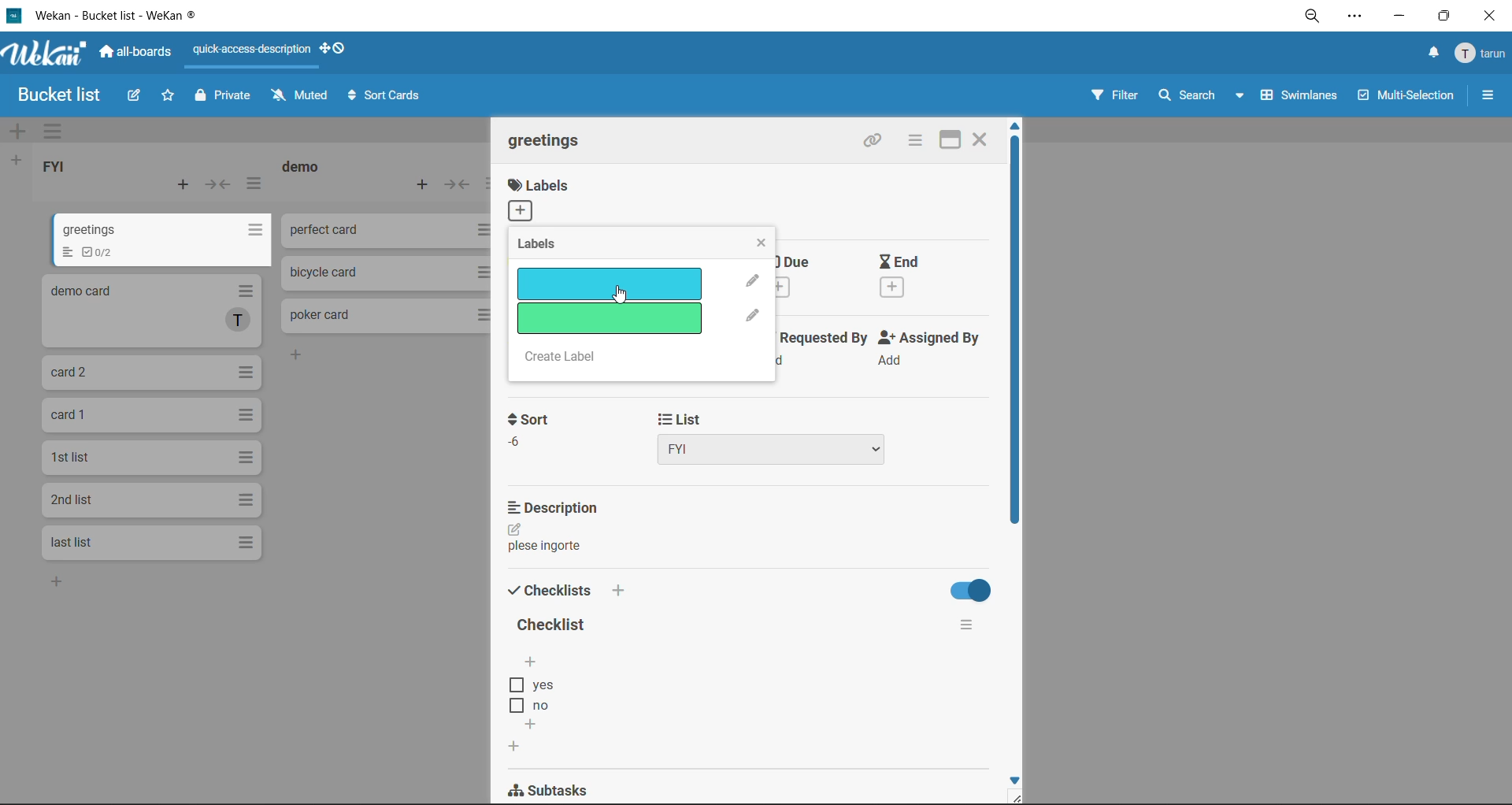 Image resolution: width=1512 pixels, height=805 pixels. What do you see at coordinates (1204, 98) in the screenshot?
I see `search` at bounding box center [1204, 98].